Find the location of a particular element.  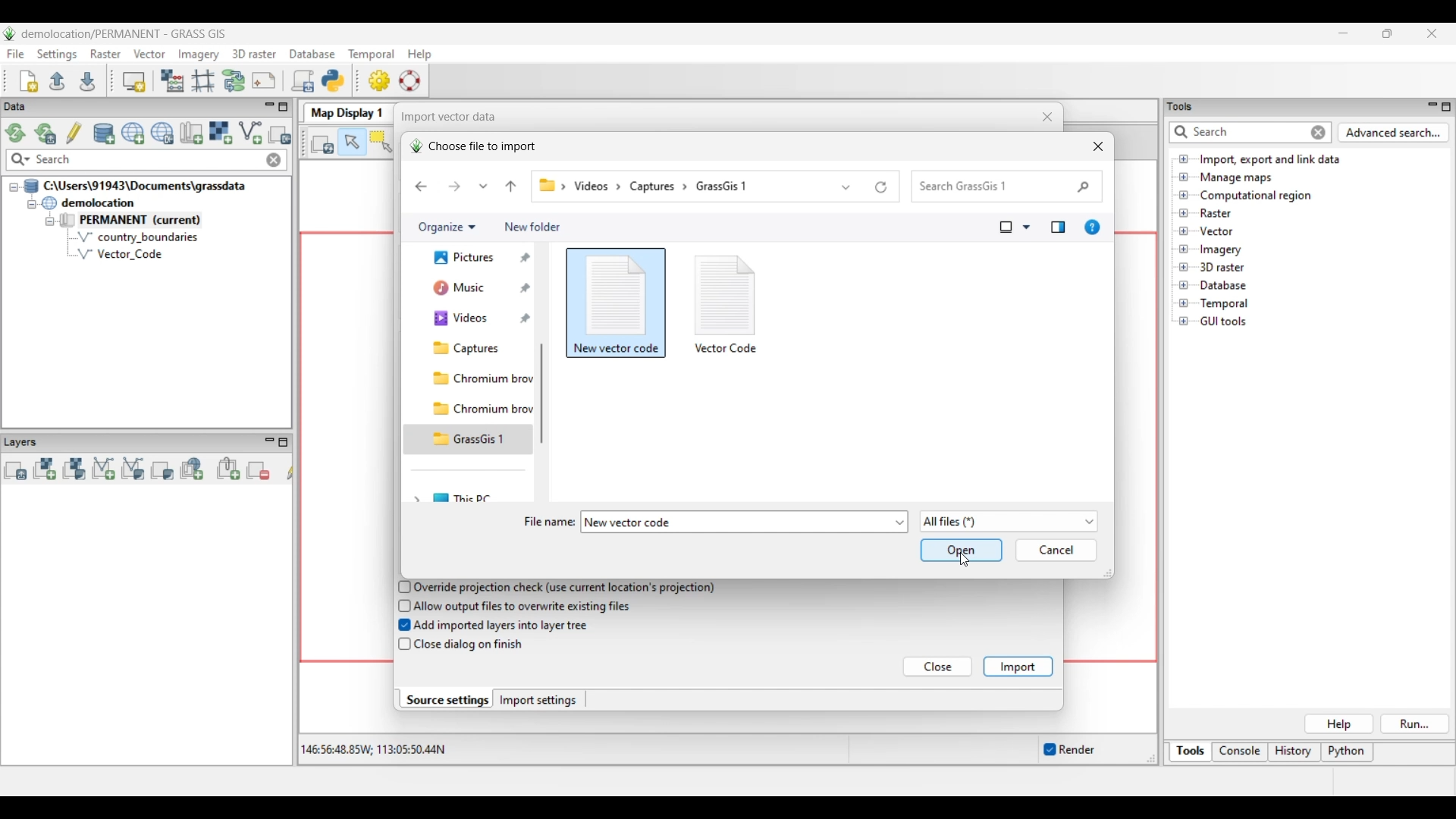

Get help is located at coordinates (1092, 227).